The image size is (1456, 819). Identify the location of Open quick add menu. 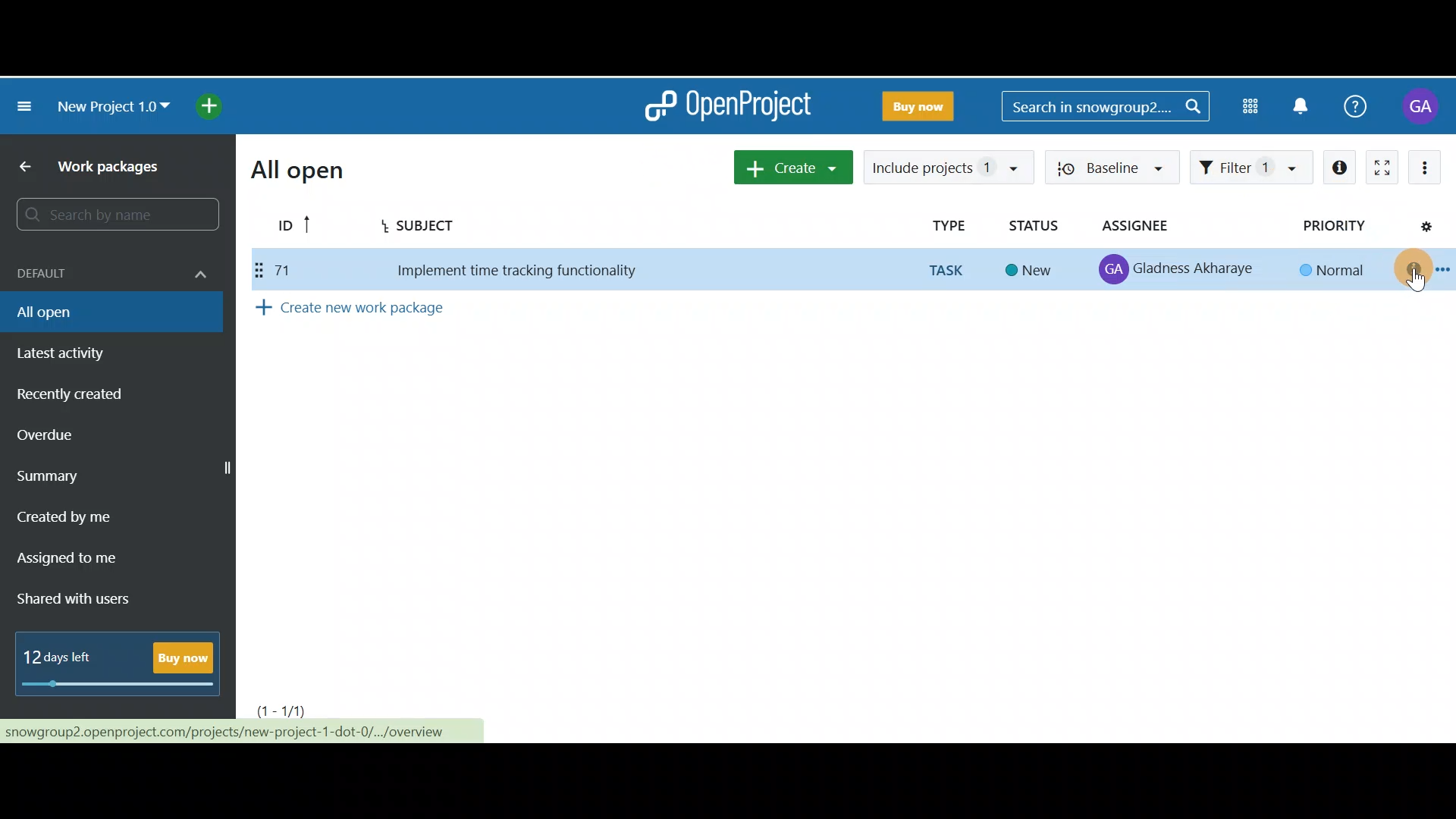
(209, 104).